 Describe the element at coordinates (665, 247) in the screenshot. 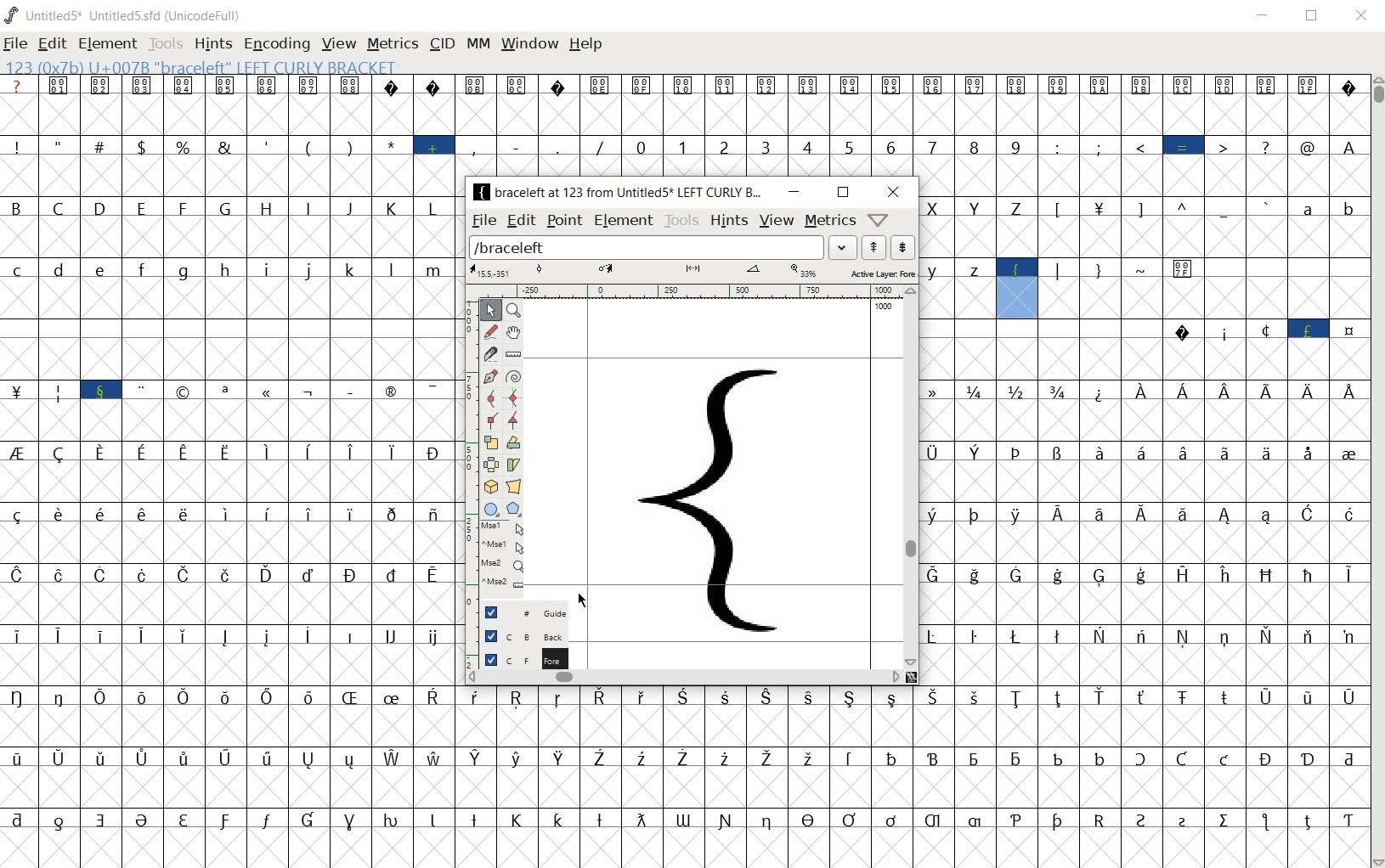

I see `load word list` at that location.